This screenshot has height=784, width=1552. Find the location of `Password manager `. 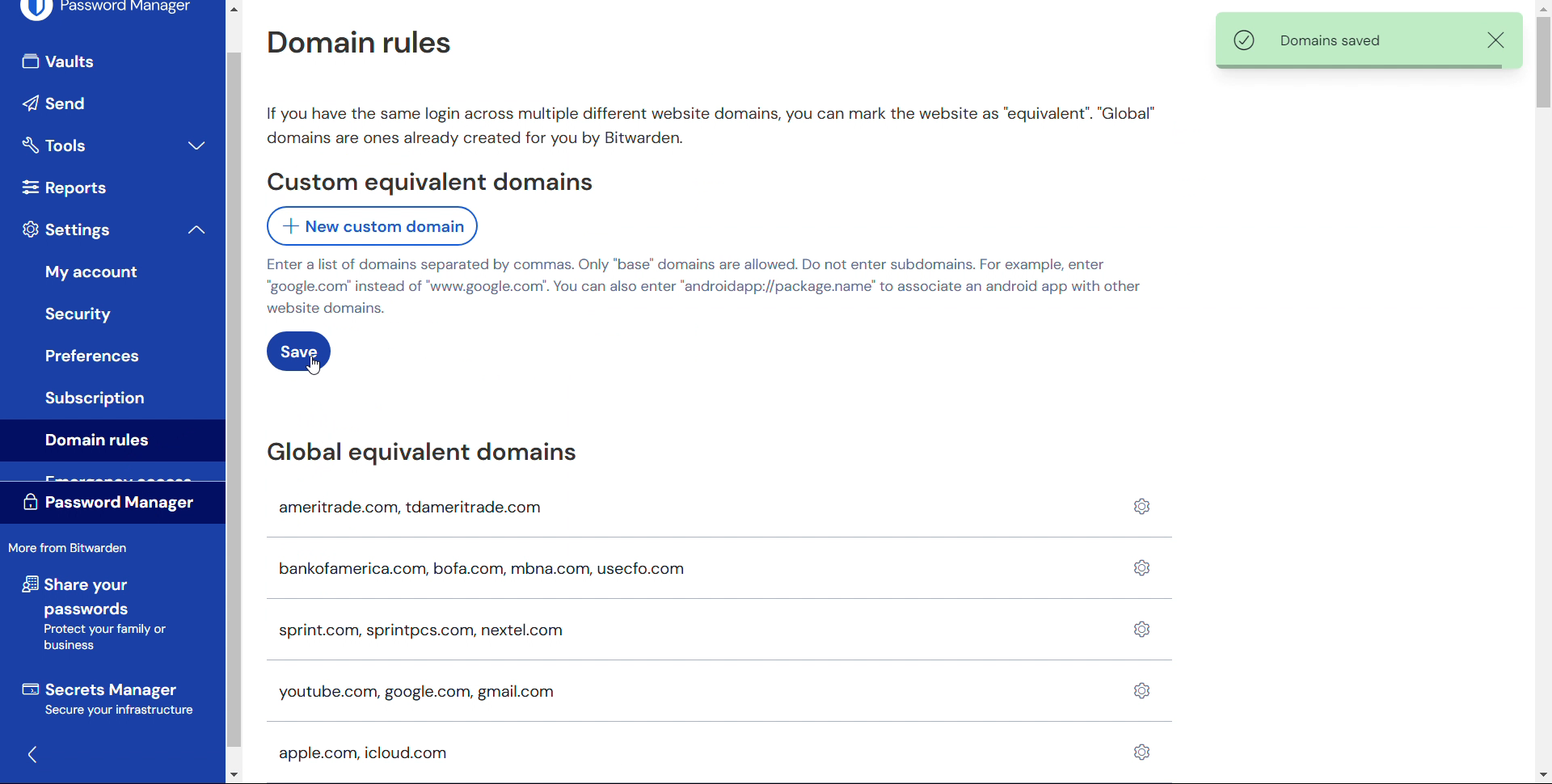

Password manager  is located at coordinates (105, 12).